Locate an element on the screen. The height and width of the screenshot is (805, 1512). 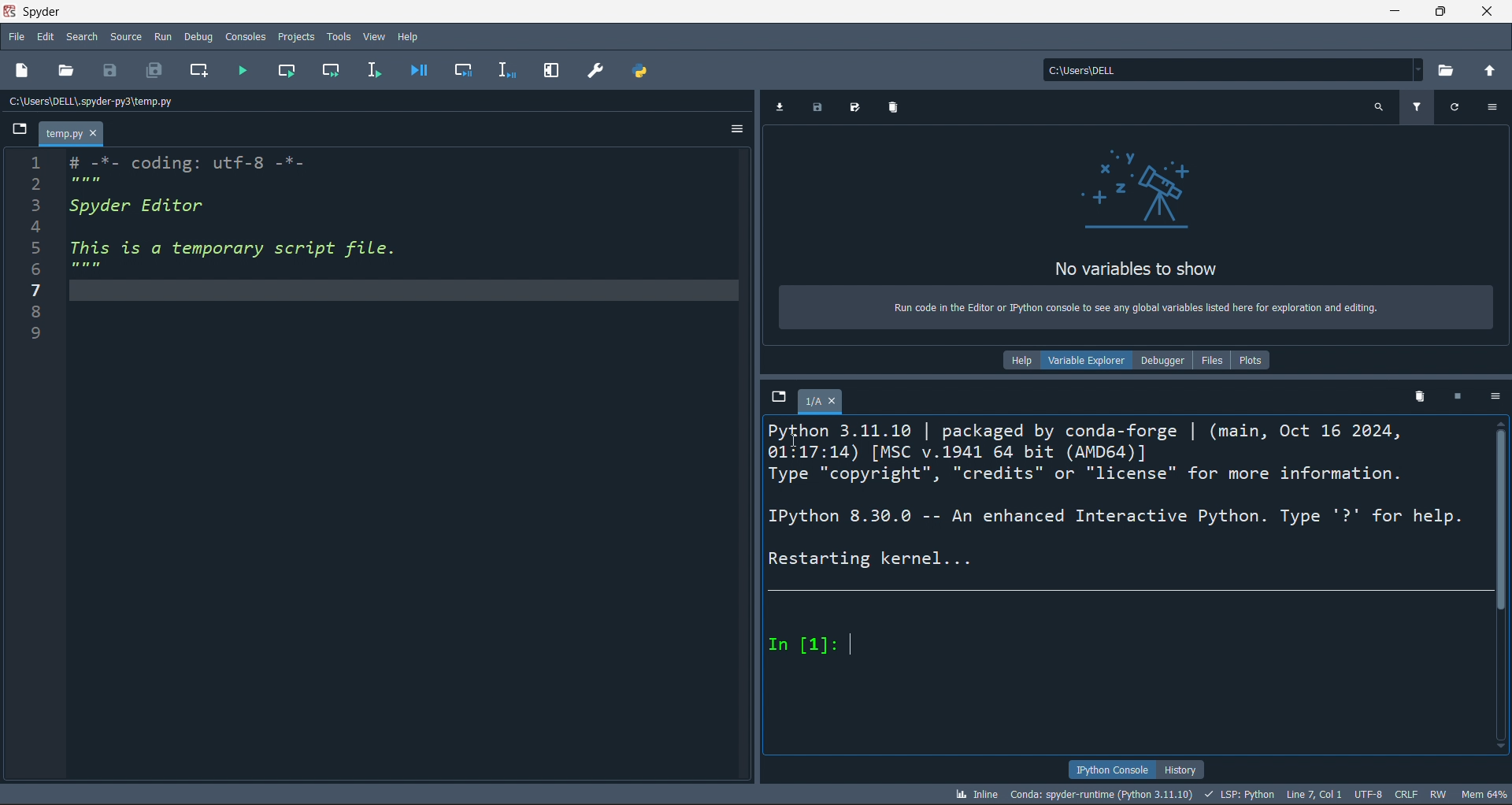
CONDA: SPYDER-RUNTIME (PYTHON 3.11.10) is located at coordinates (1101, 793).